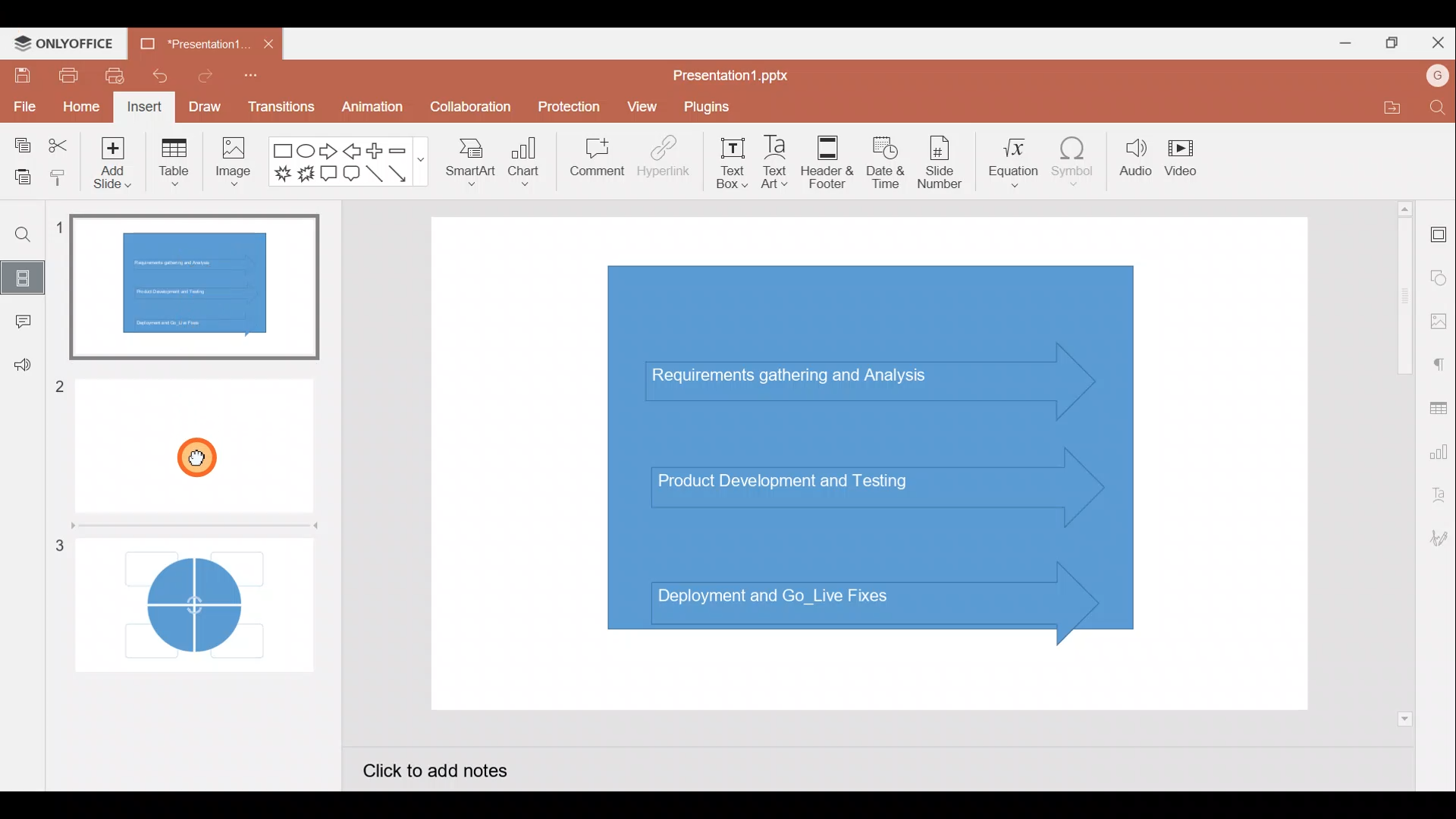 This screenshot has height=819, width=1456. Describe the element at coordinates (20, 174) in the screenshot. I see `Paste` at that location.